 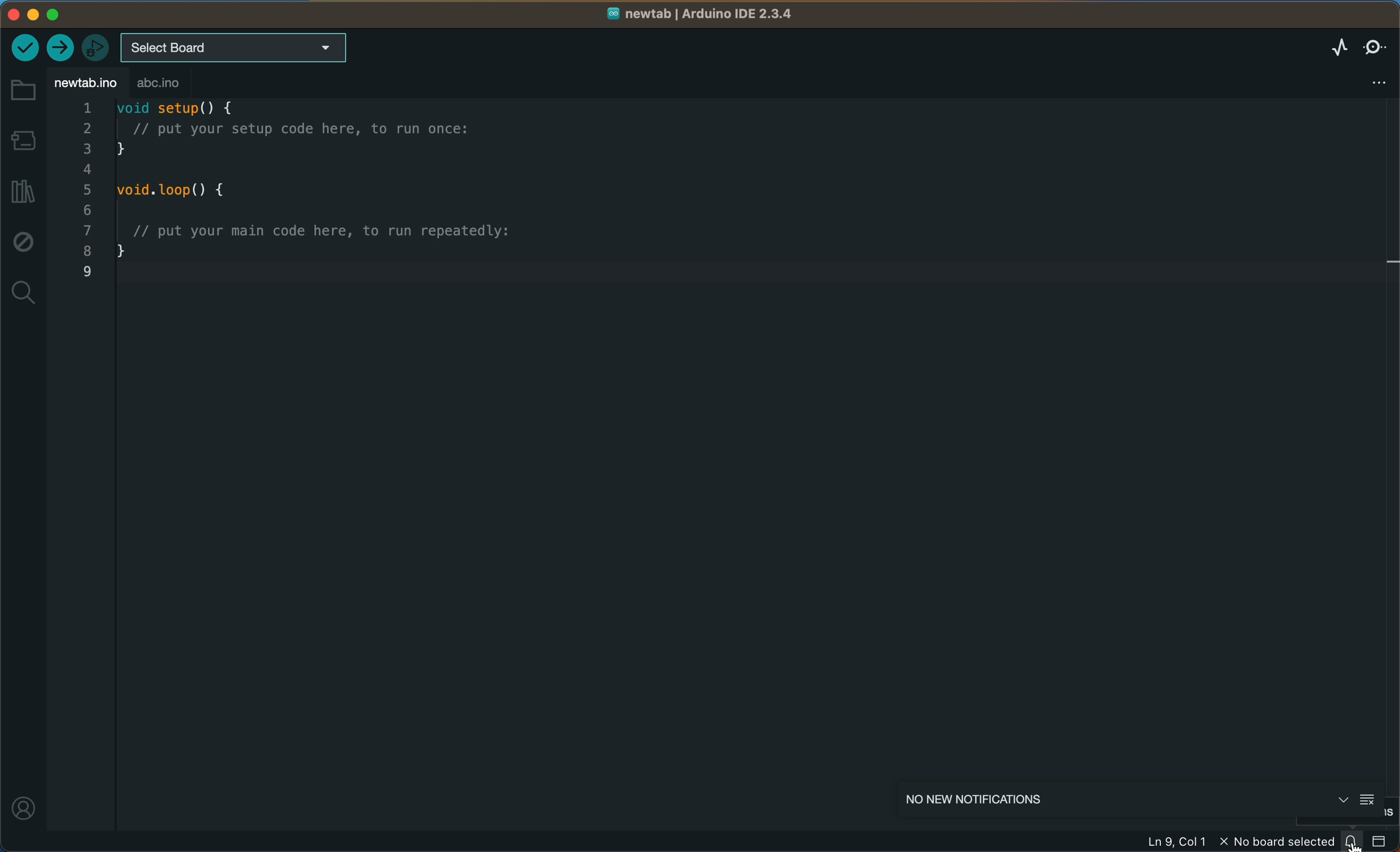 What do you see at coordinates (1370, 81) in the screenshot?
I see `file setting` at bounding box center [1370, 81].